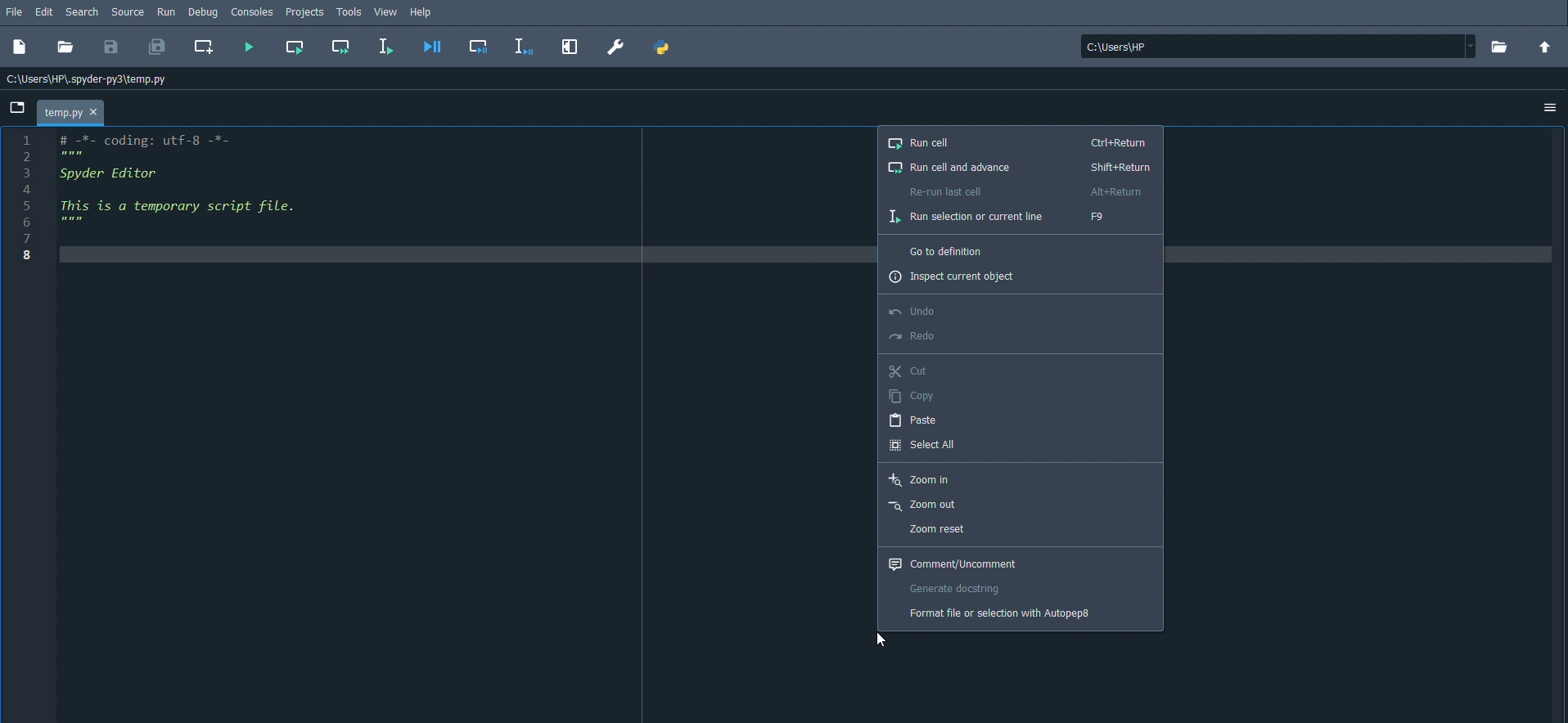 The width and height of the screenshot is (1568, 723). What do you see at coordinates (160, 48) in the screenshot?
I see `Save all files` at bounding box center [160, 48].